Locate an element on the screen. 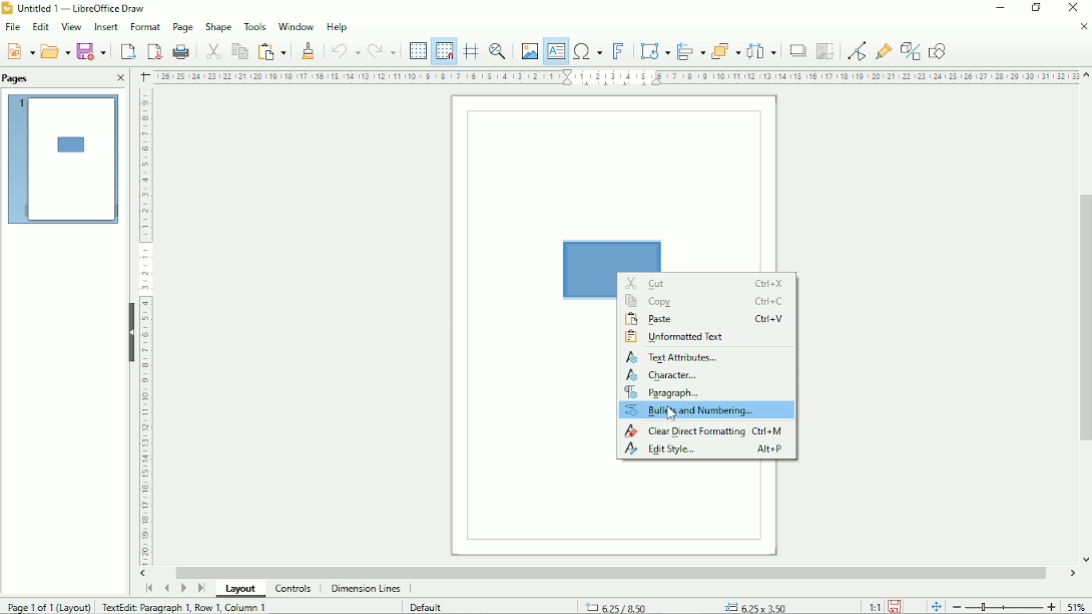 Image resolution: width=1092 pixels, height=614 pixels. Show glue point functions is located at coordinates (885, 48).